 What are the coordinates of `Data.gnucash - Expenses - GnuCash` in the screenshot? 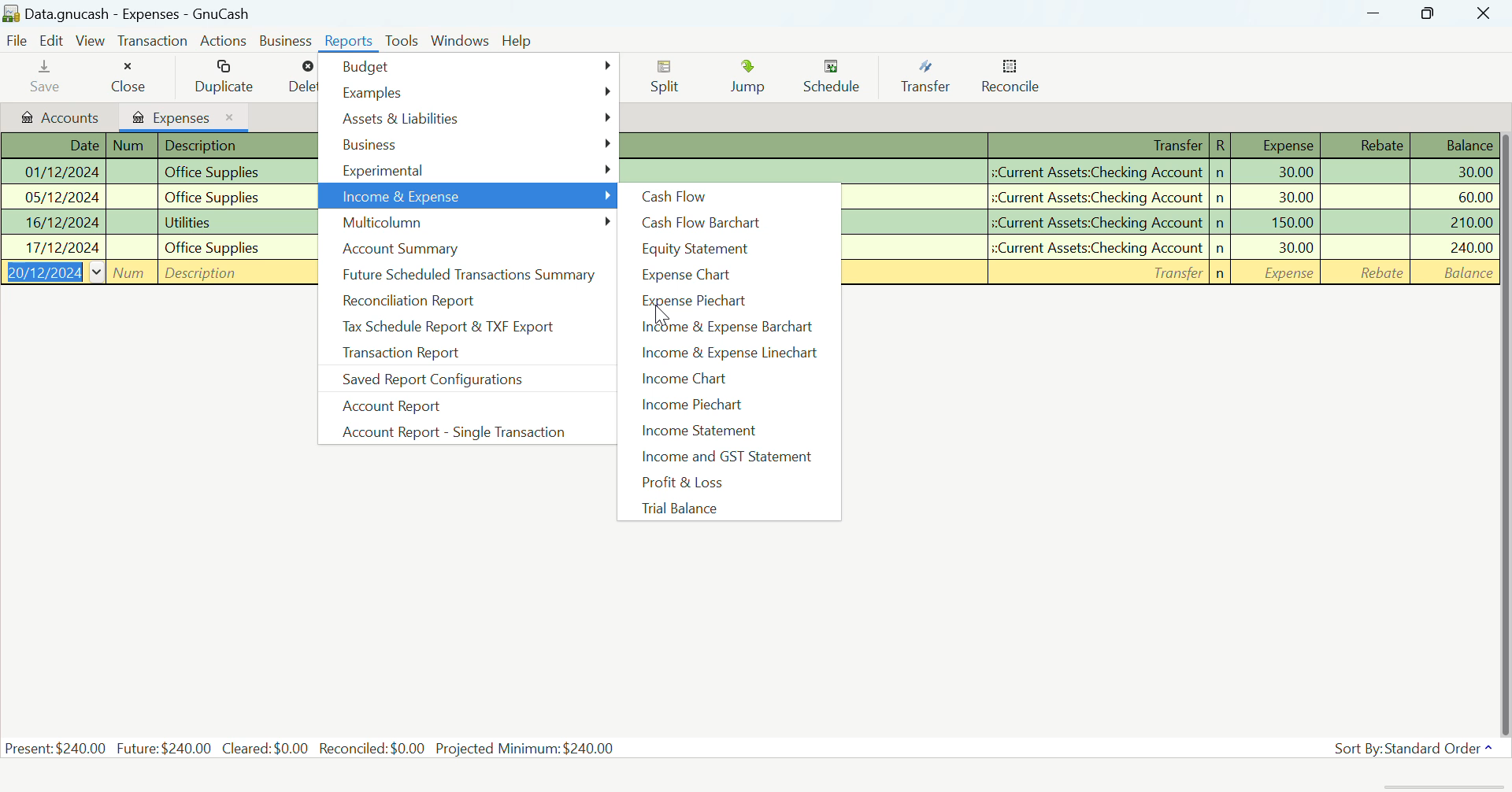 It's located at (161, 13).